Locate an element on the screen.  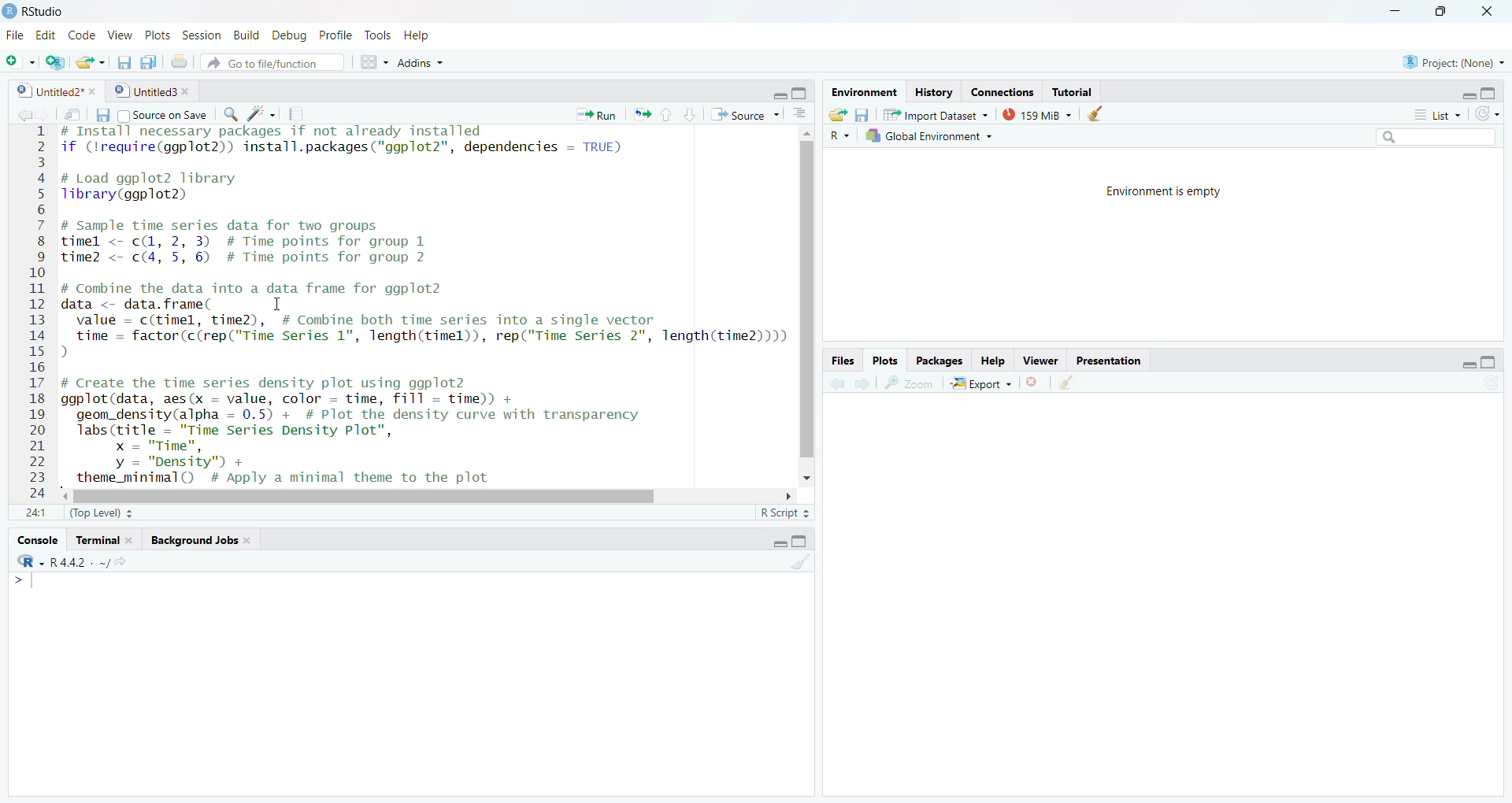
clean is located at coordinates (1093, 113).